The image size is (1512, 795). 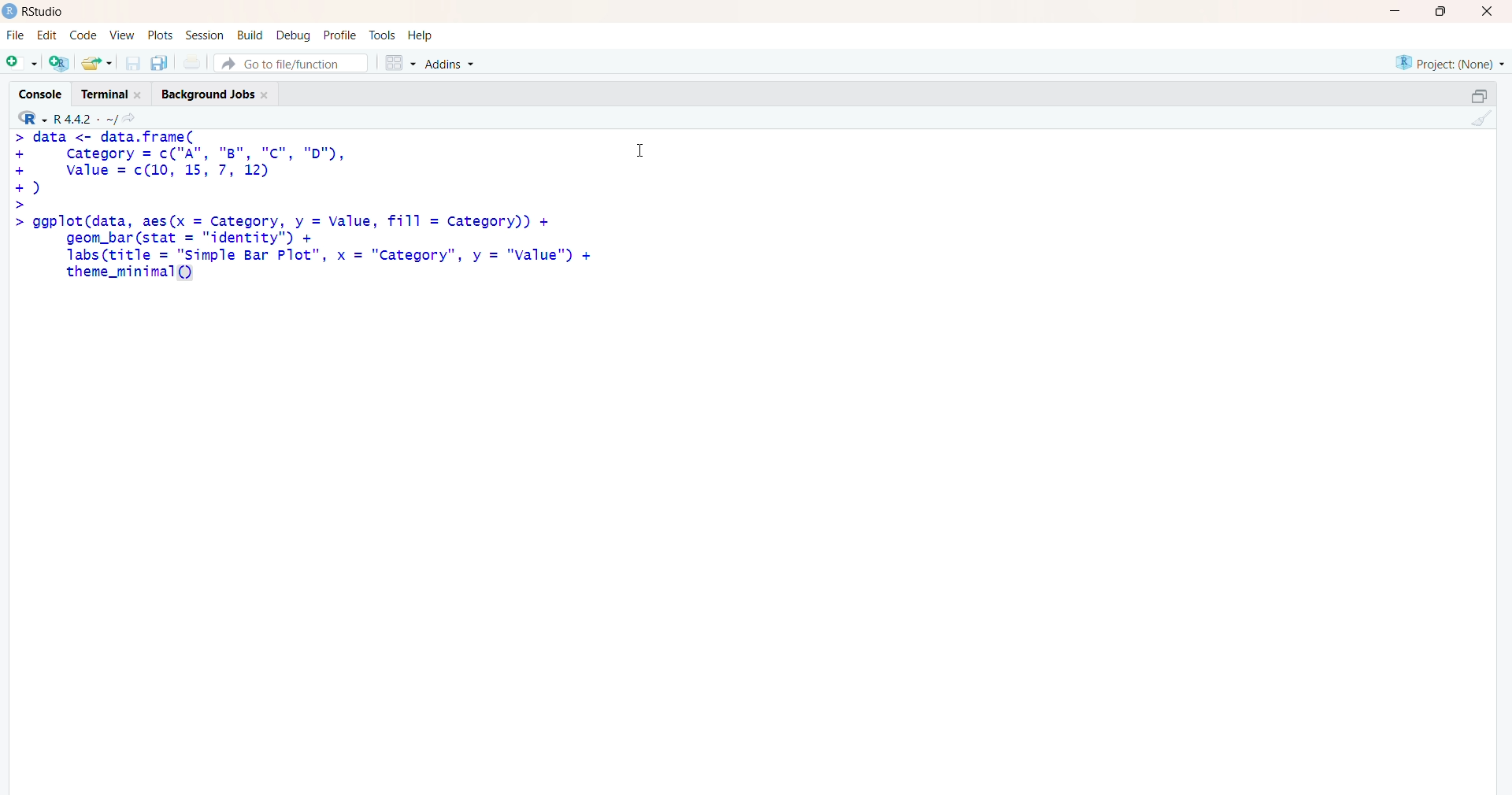 What do you see at coordinates (453, 65) in the screenshot?
I see `Addins` at bounding box center [453, 65].